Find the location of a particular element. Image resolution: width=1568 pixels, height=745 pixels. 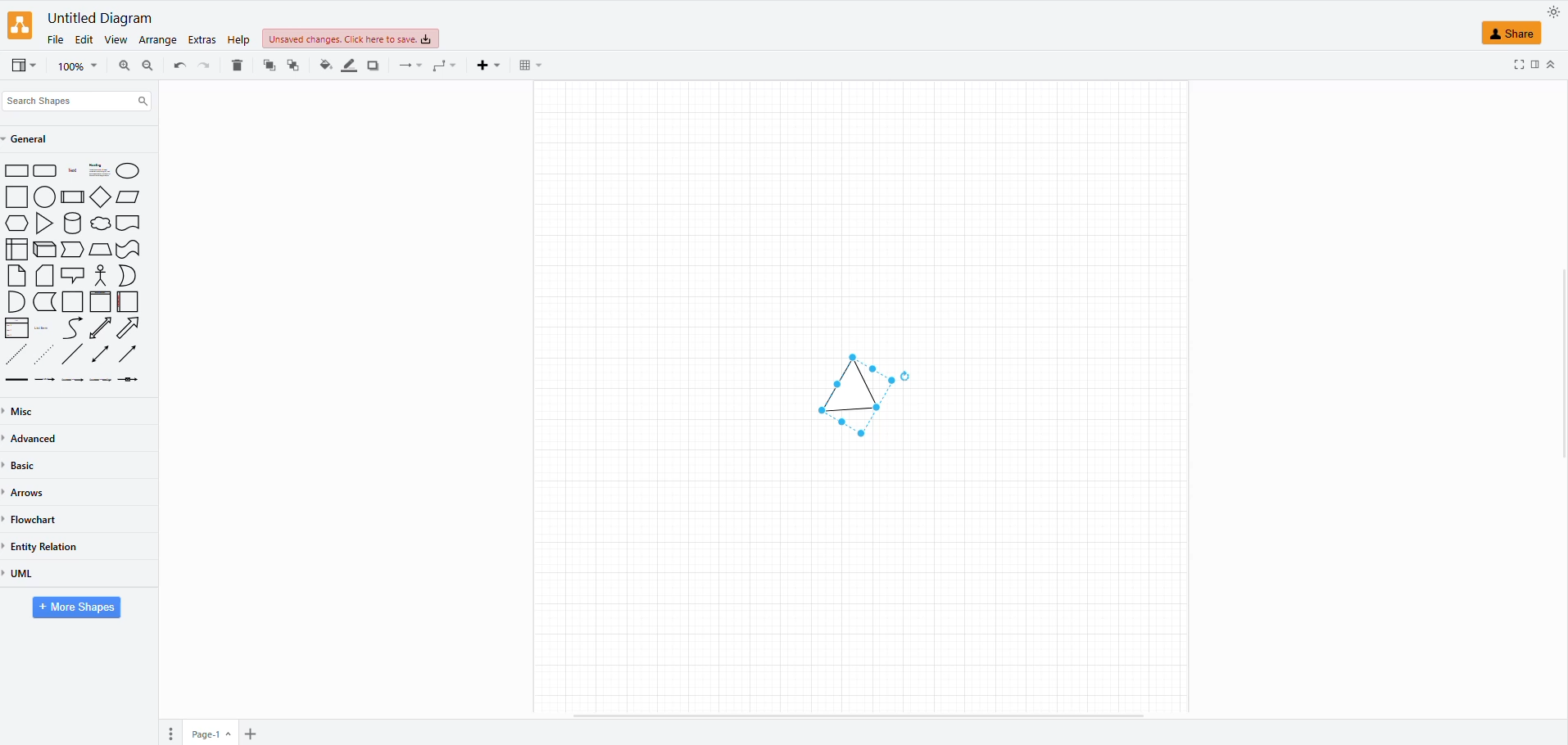

basic is located at coordinates (27, 468).